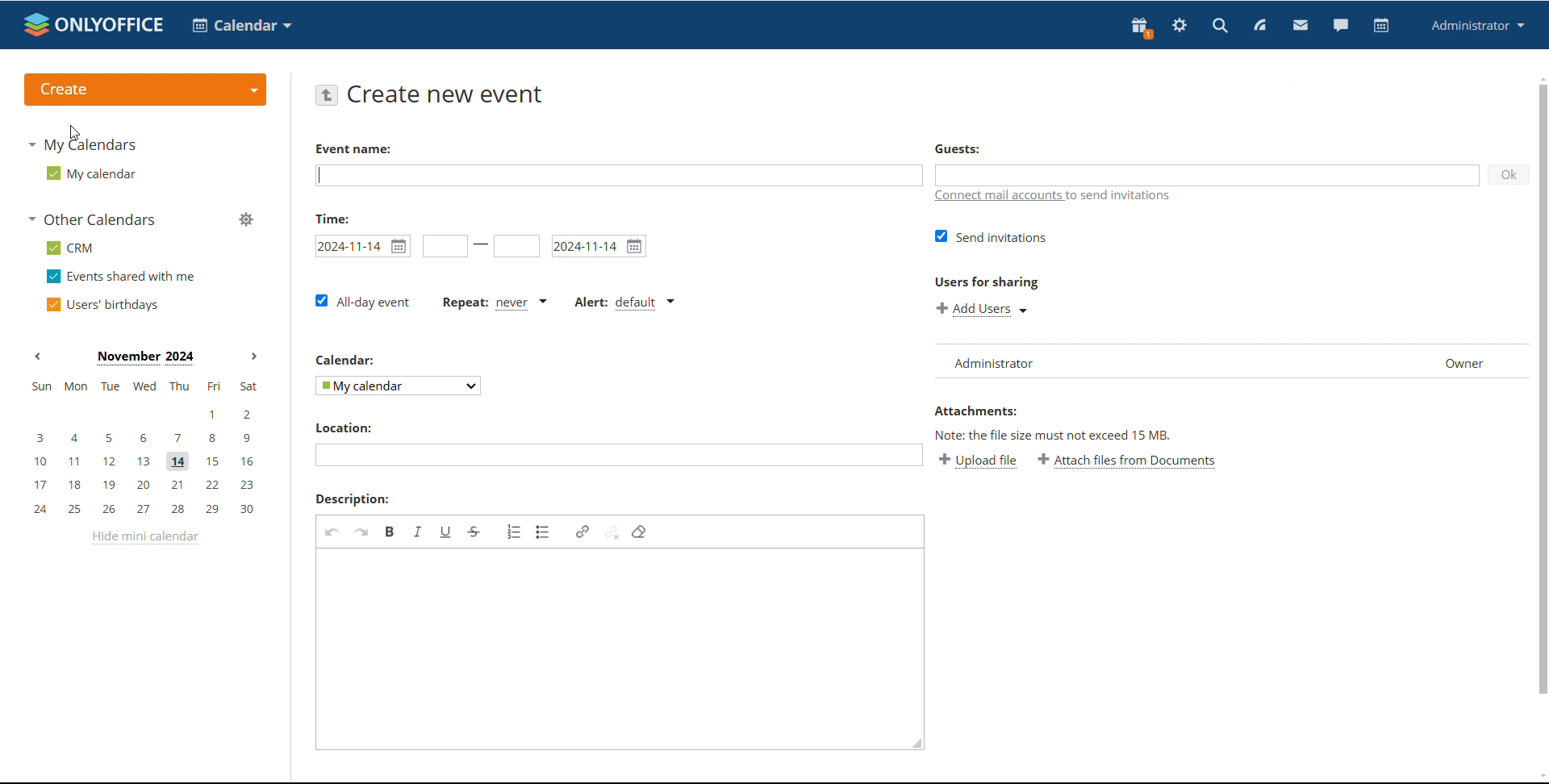  I want to click on hide mini calendar, so click(144, 537).